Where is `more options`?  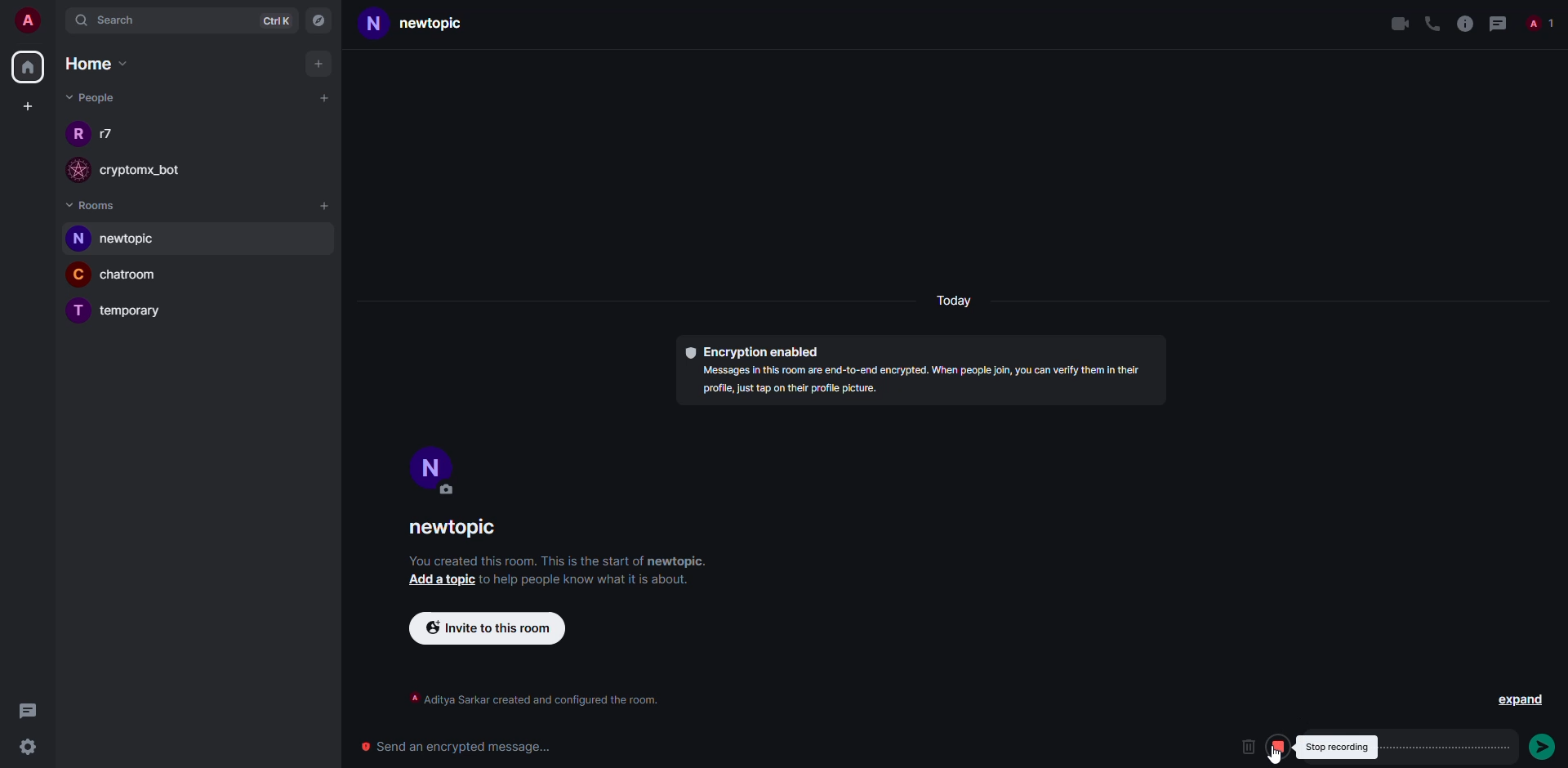 more options is located at coordinates (1486, 747).